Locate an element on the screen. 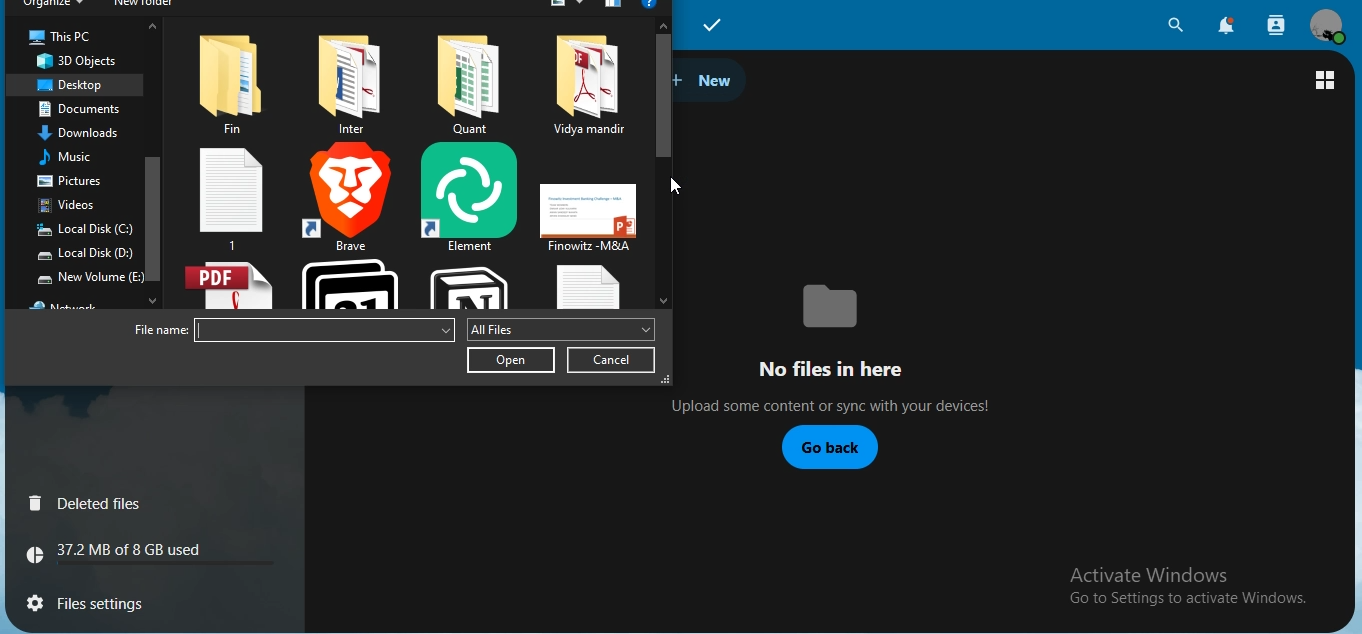 Image resolution: width=1362 pixels, height=634 pixels. music is located at coordinates (76, 156).